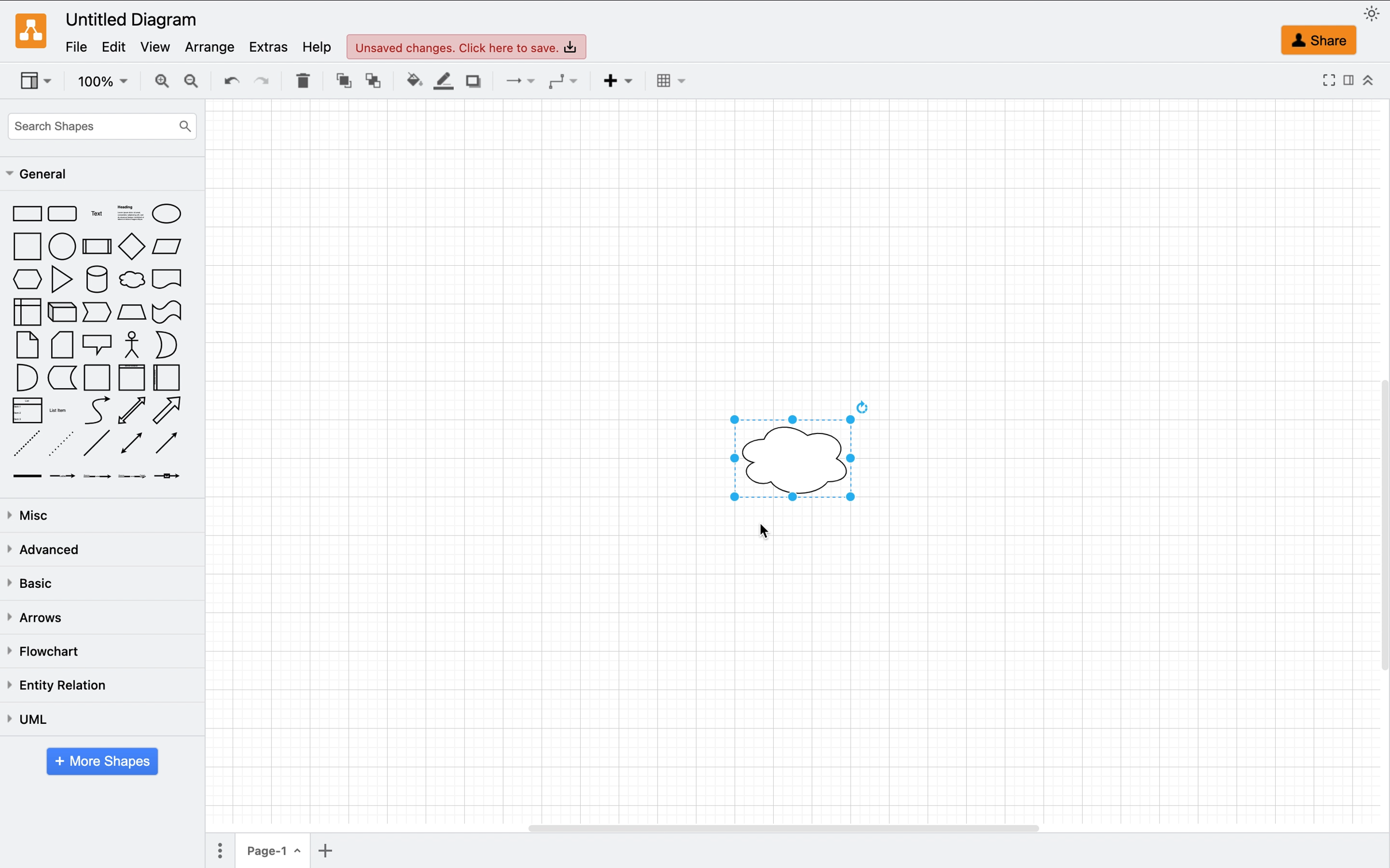 This screenshot has height=868, width=1390. Describe the element at coordinates (29, 315) in the screenshot. I see `internal storage` at that location.